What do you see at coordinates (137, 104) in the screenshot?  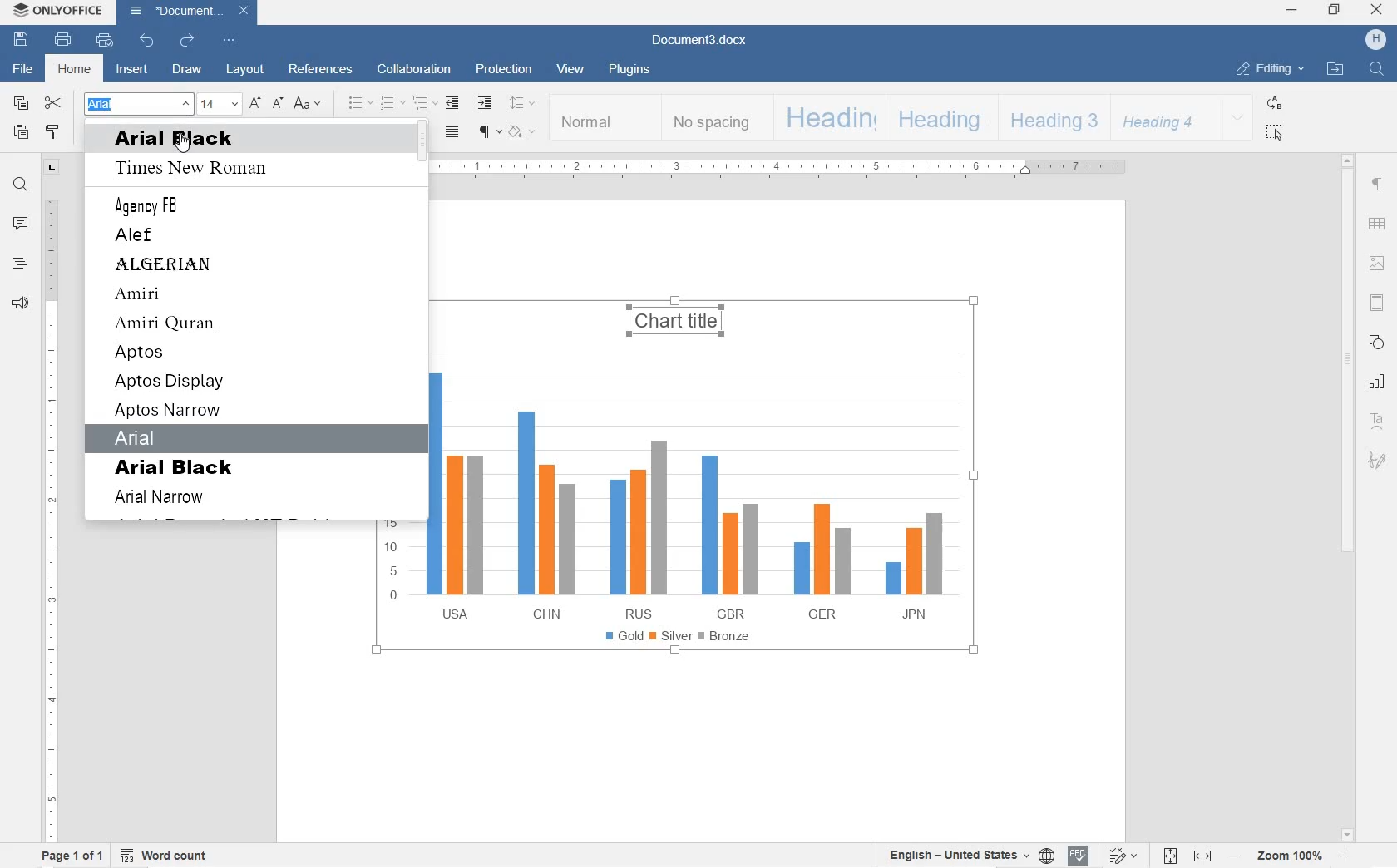 I see `FONT NAME` at bounding box center [137, 104].